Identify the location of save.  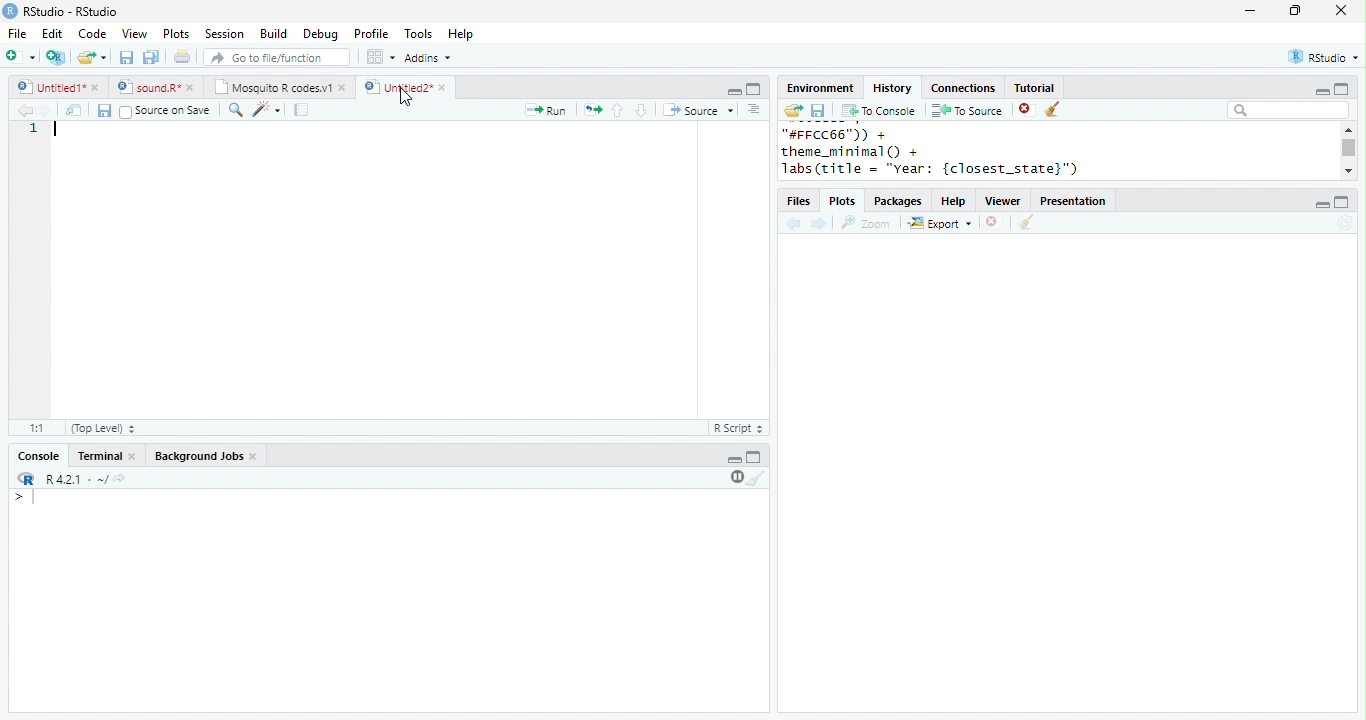
(818, 110).